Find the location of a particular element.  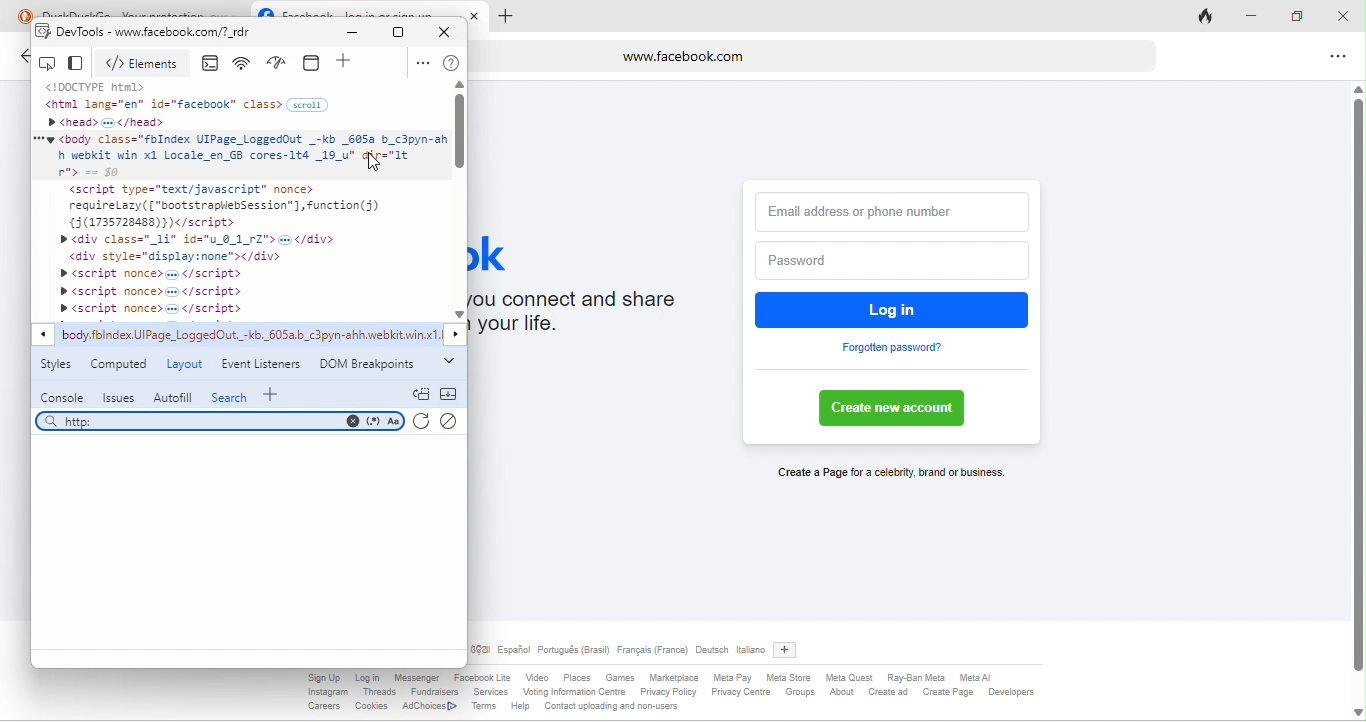

search is located at coordinates (230, 396).